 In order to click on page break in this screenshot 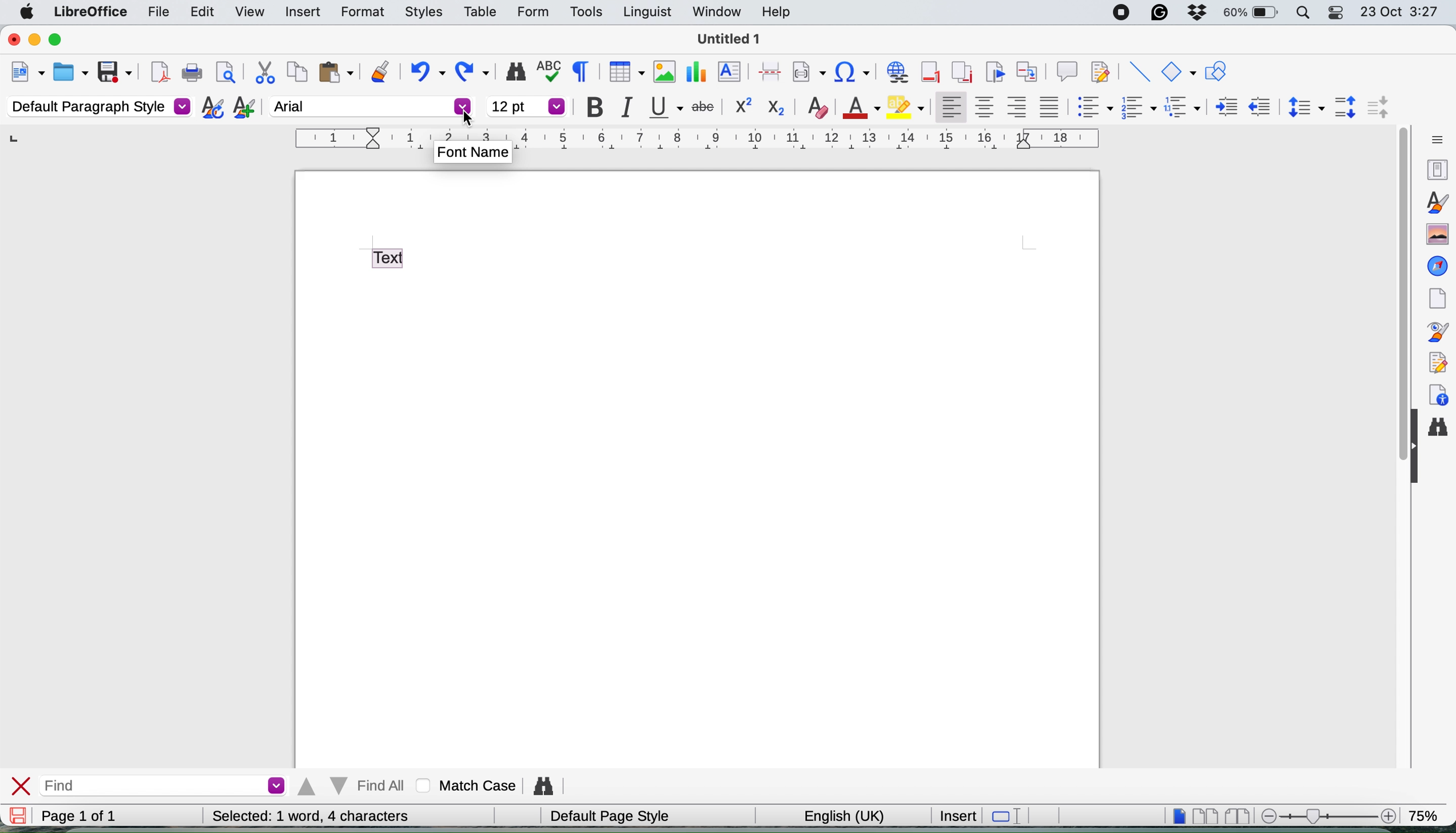, I will do `click(771, 70)`.